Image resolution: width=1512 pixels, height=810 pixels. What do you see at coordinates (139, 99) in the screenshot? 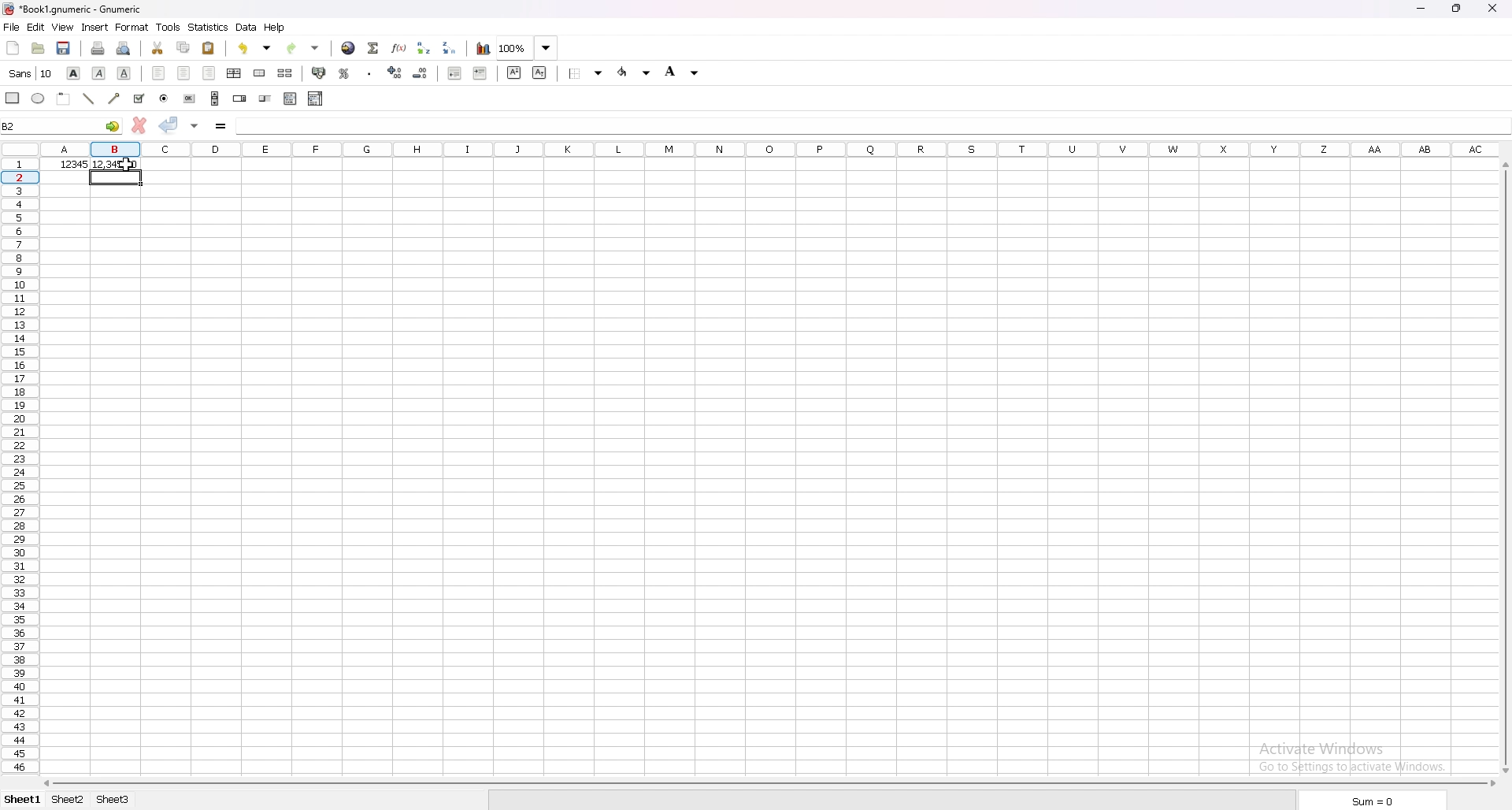
I see `tickbox` at bounding box center [139, 99].